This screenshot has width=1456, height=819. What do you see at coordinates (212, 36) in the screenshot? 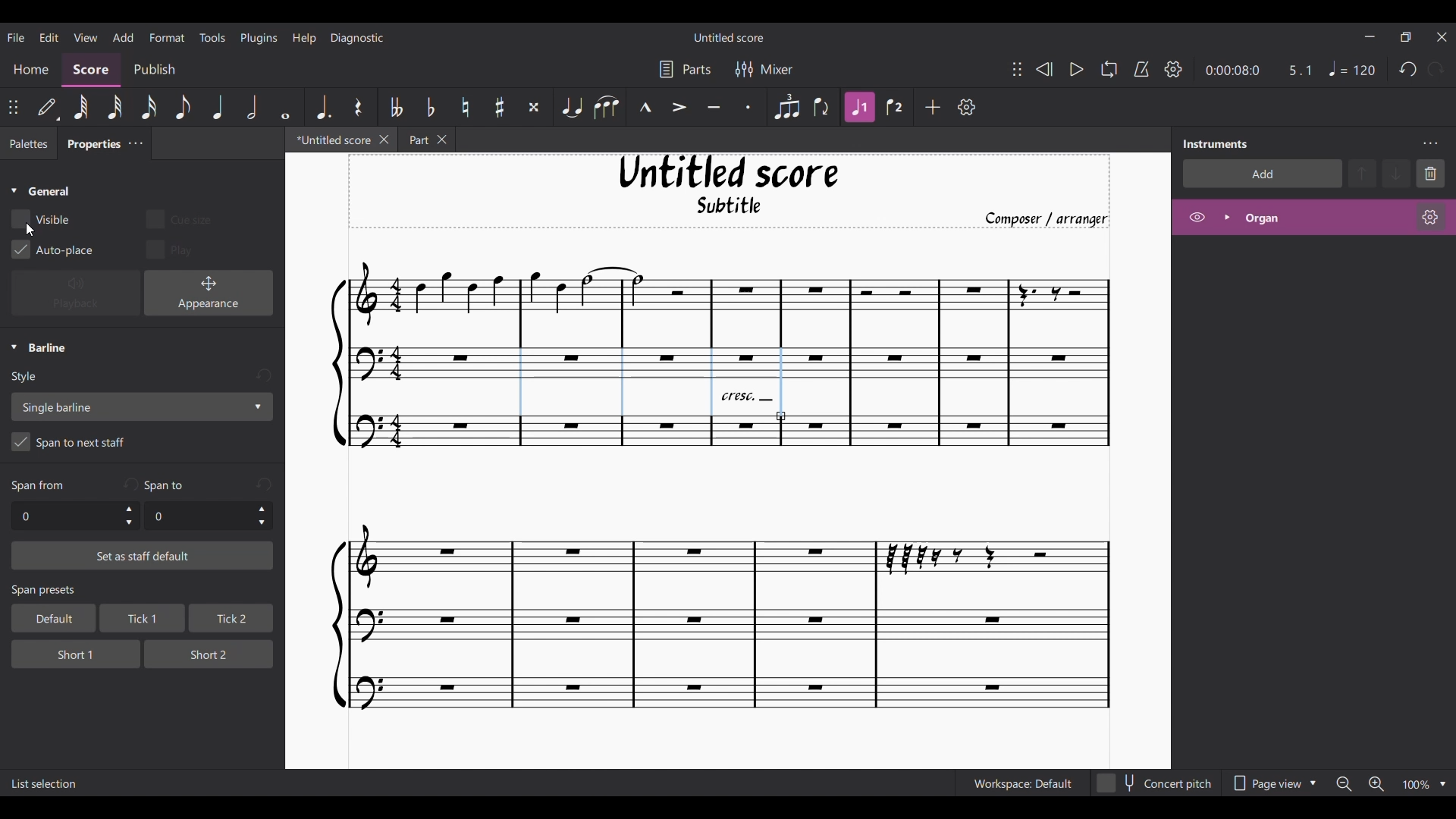
I see `Tools menu` at bounding box center [212, 36].